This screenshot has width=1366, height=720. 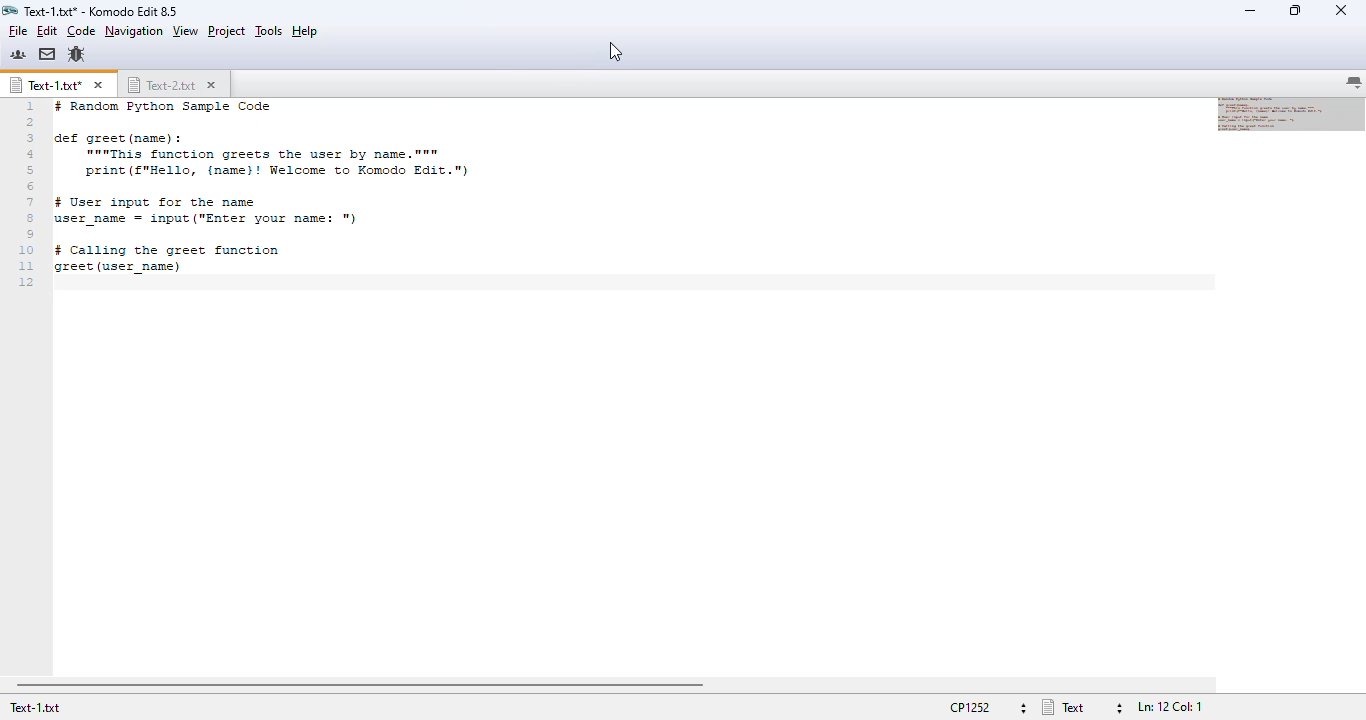 I want to click on komodo email lists, so click(x=47, y=53).